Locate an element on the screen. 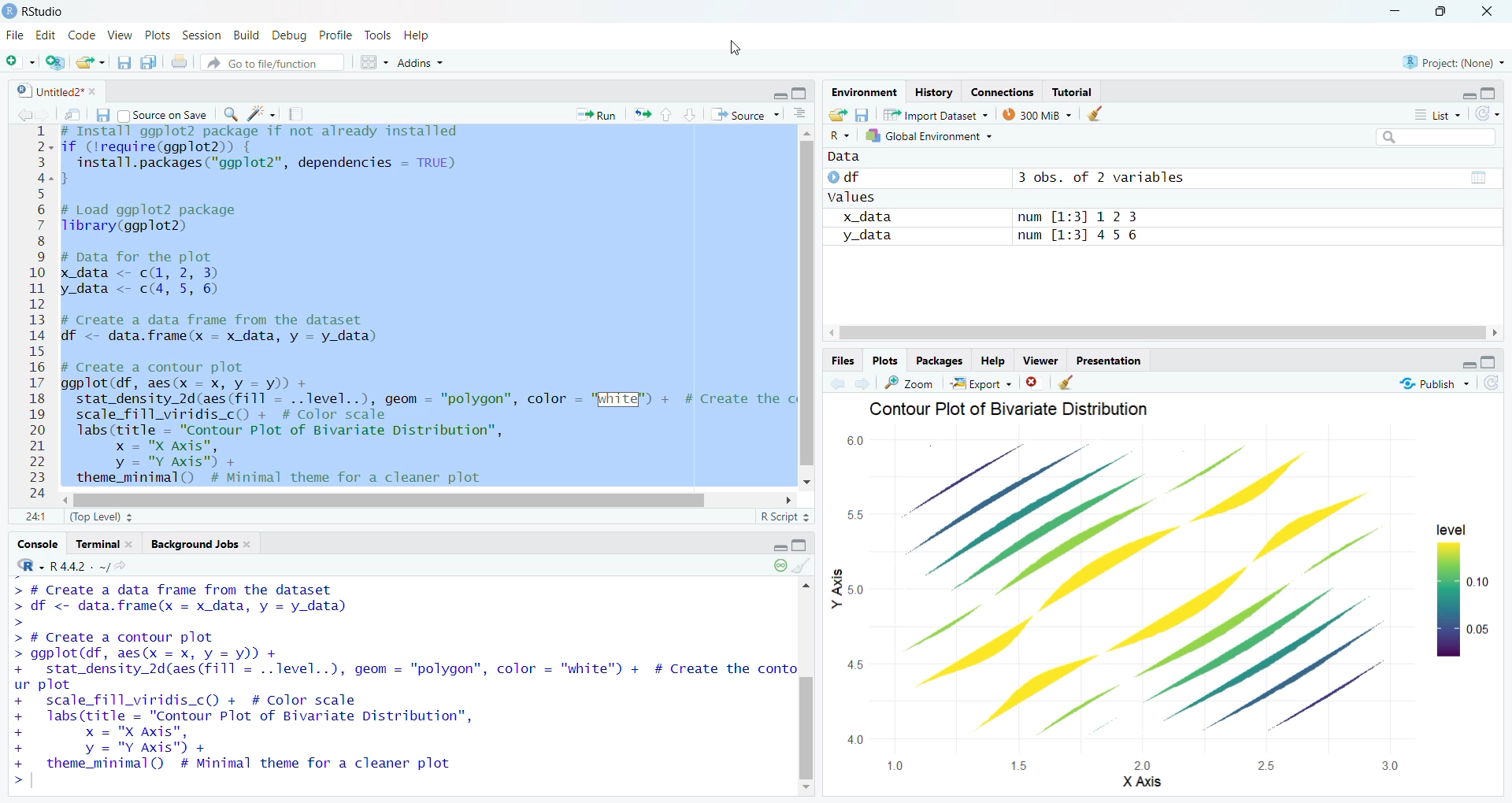 The height and width of the screenshot is (803, 1512). Help. is located at coordinates (995, 360).